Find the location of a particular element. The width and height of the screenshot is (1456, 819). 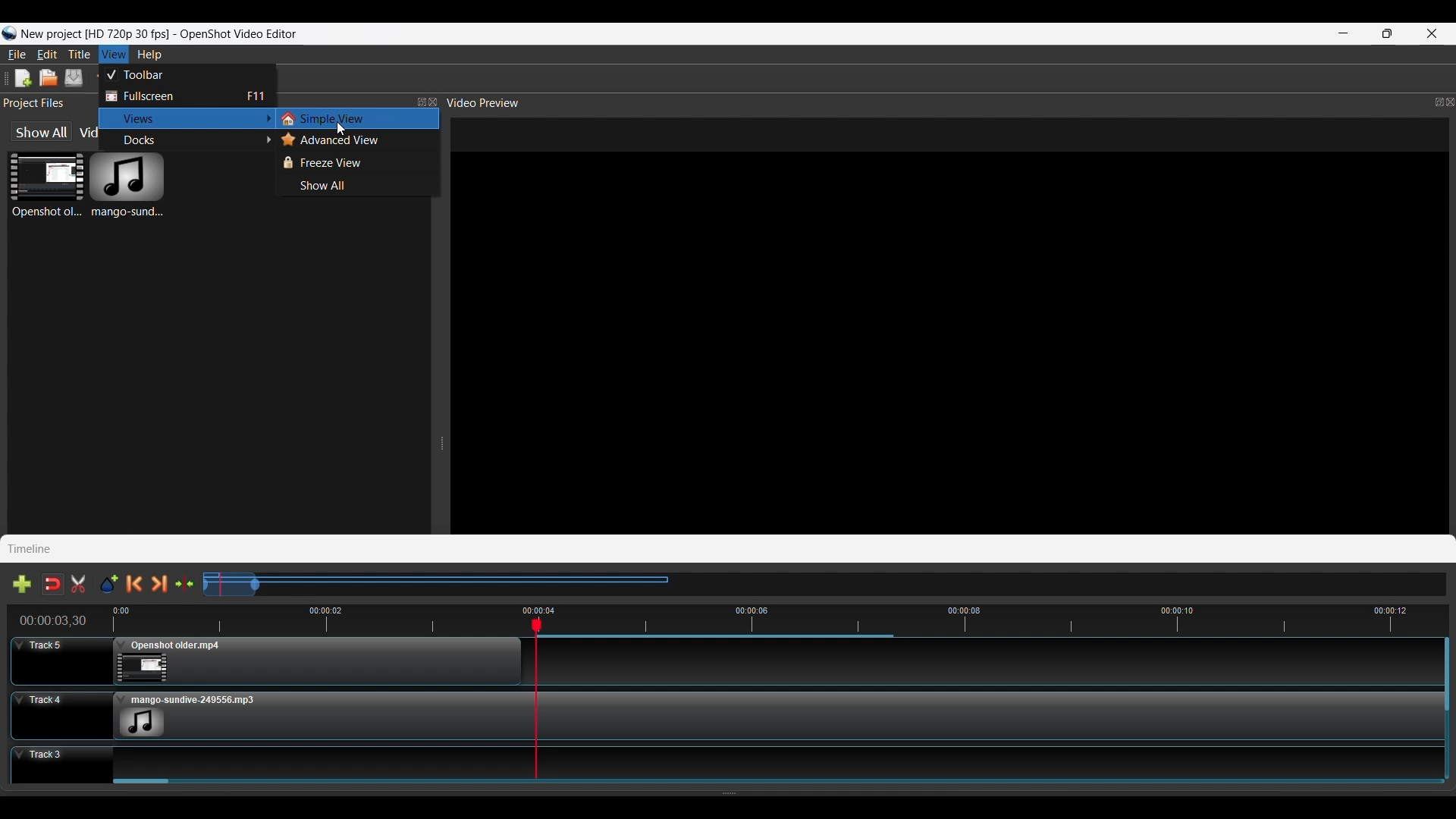

Save Project is located at coordinates (74, 78).